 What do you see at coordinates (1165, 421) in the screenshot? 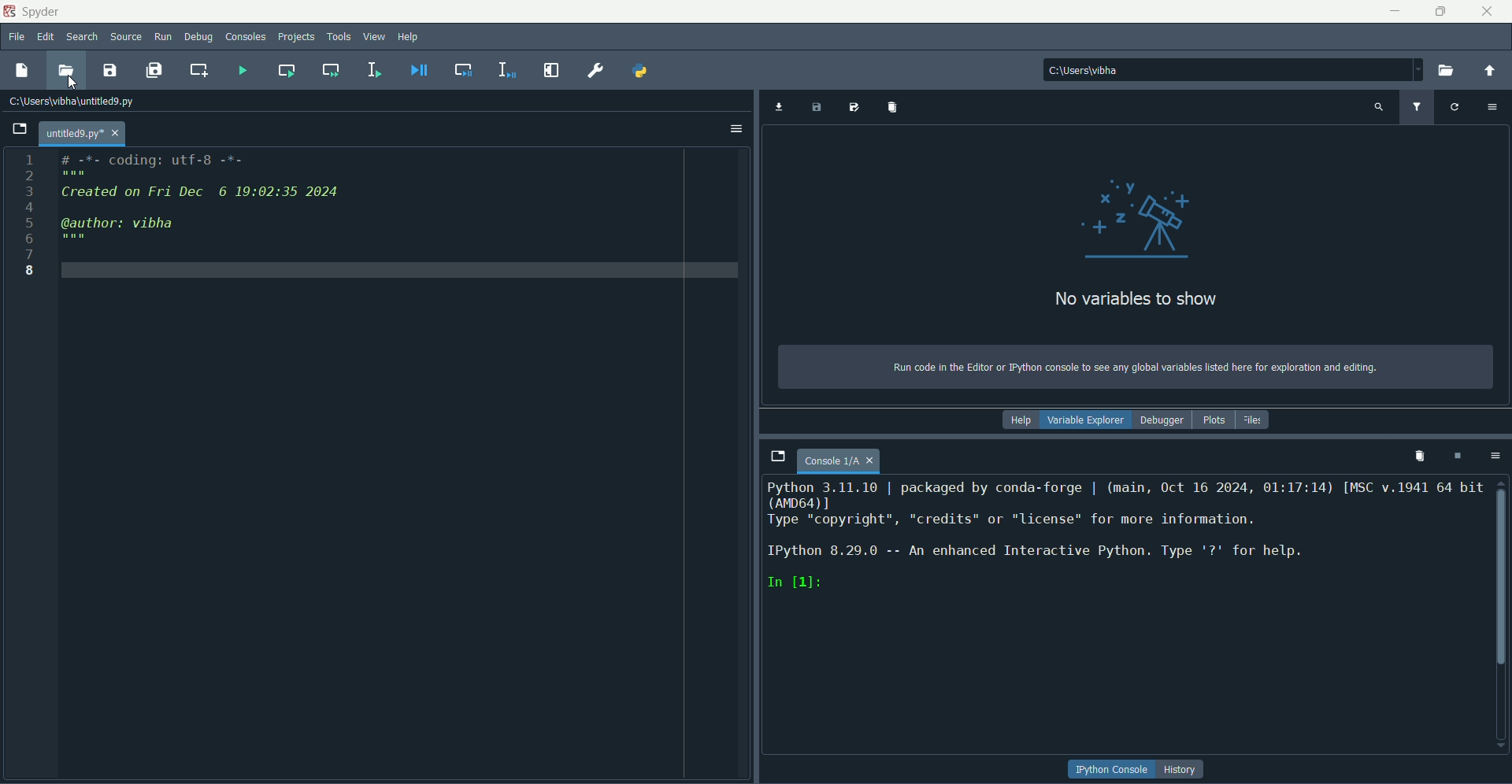
I see `debugger` at bounding box center [1165, 421].